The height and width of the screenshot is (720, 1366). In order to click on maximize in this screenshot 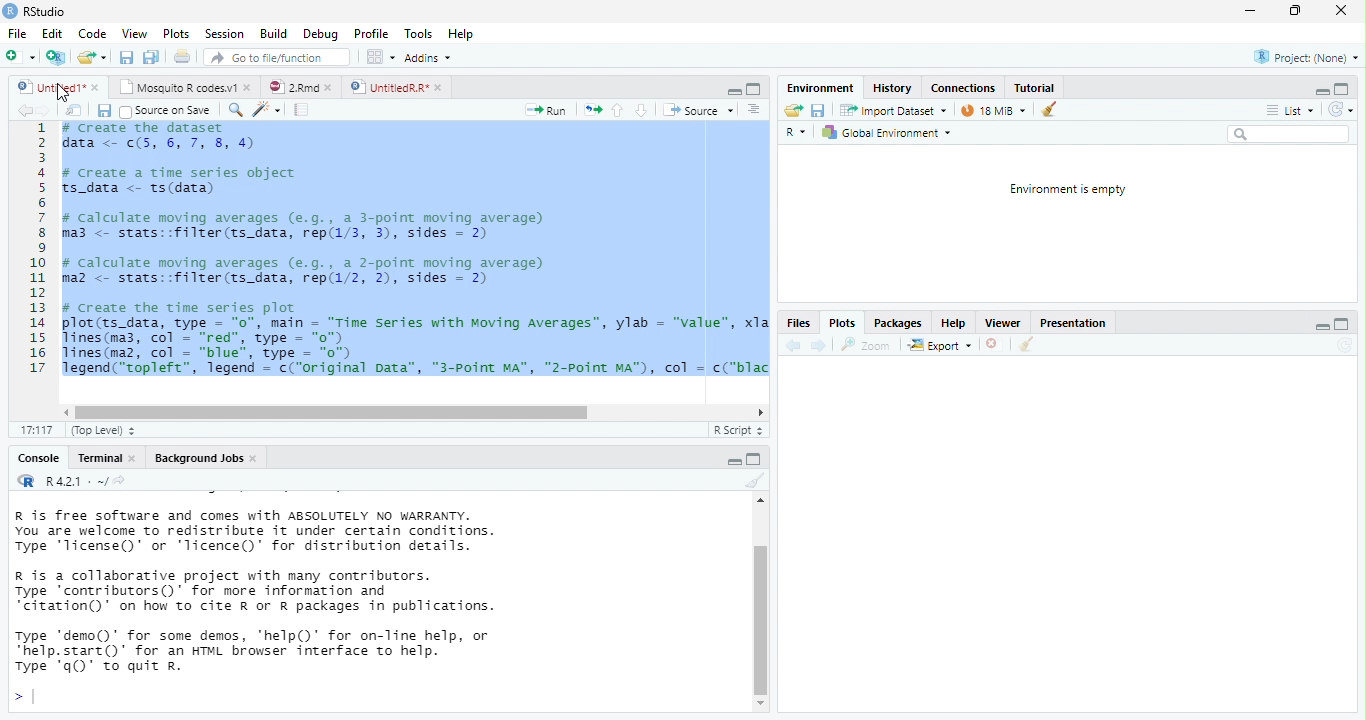, I will do `click(1342, 88)`.